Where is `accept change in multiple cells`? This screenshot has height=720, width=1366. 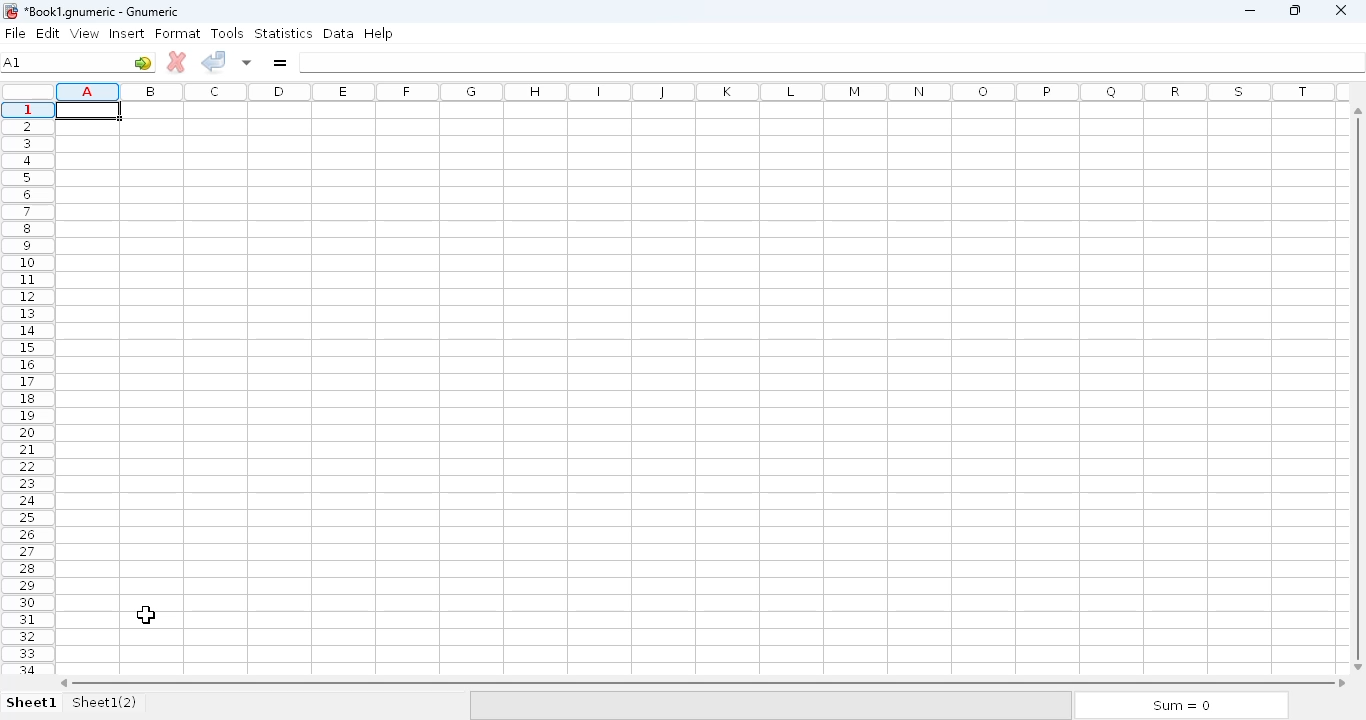
accept change in multiple cells is located at coordinates (248, 61).